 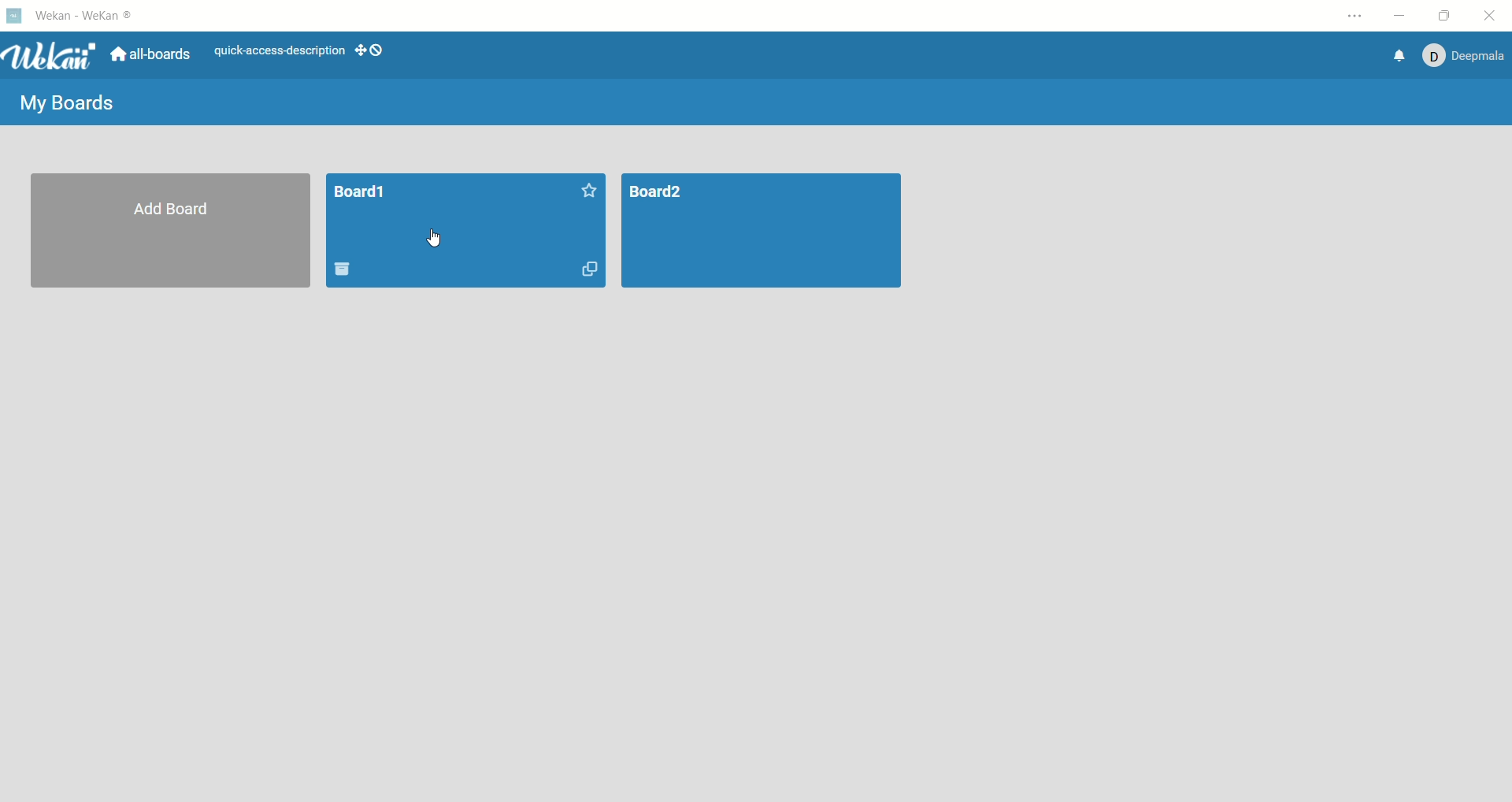 I want to click on board2, so click(x=766, y=232).